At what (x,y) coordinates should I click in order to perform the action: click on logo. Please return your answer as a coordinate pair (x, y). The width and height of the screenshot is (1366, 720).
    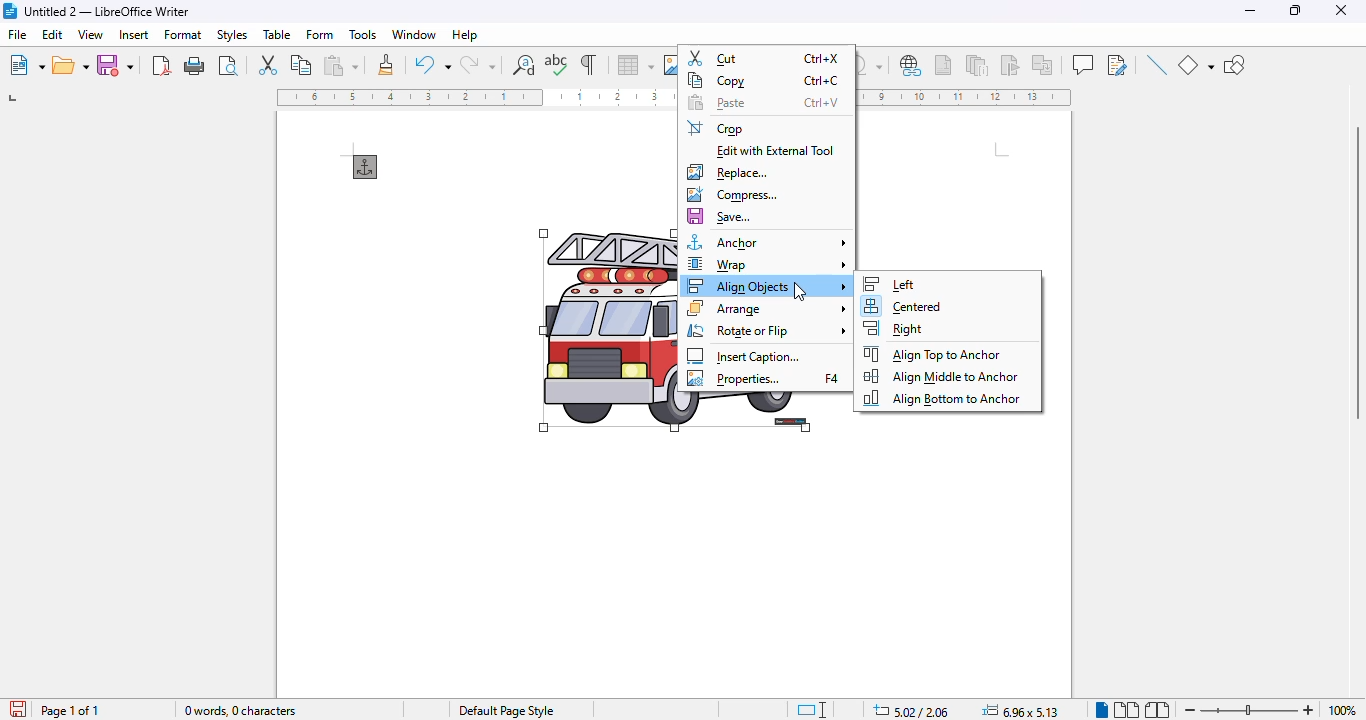
    Looking at the image, I should click on (10, 11).